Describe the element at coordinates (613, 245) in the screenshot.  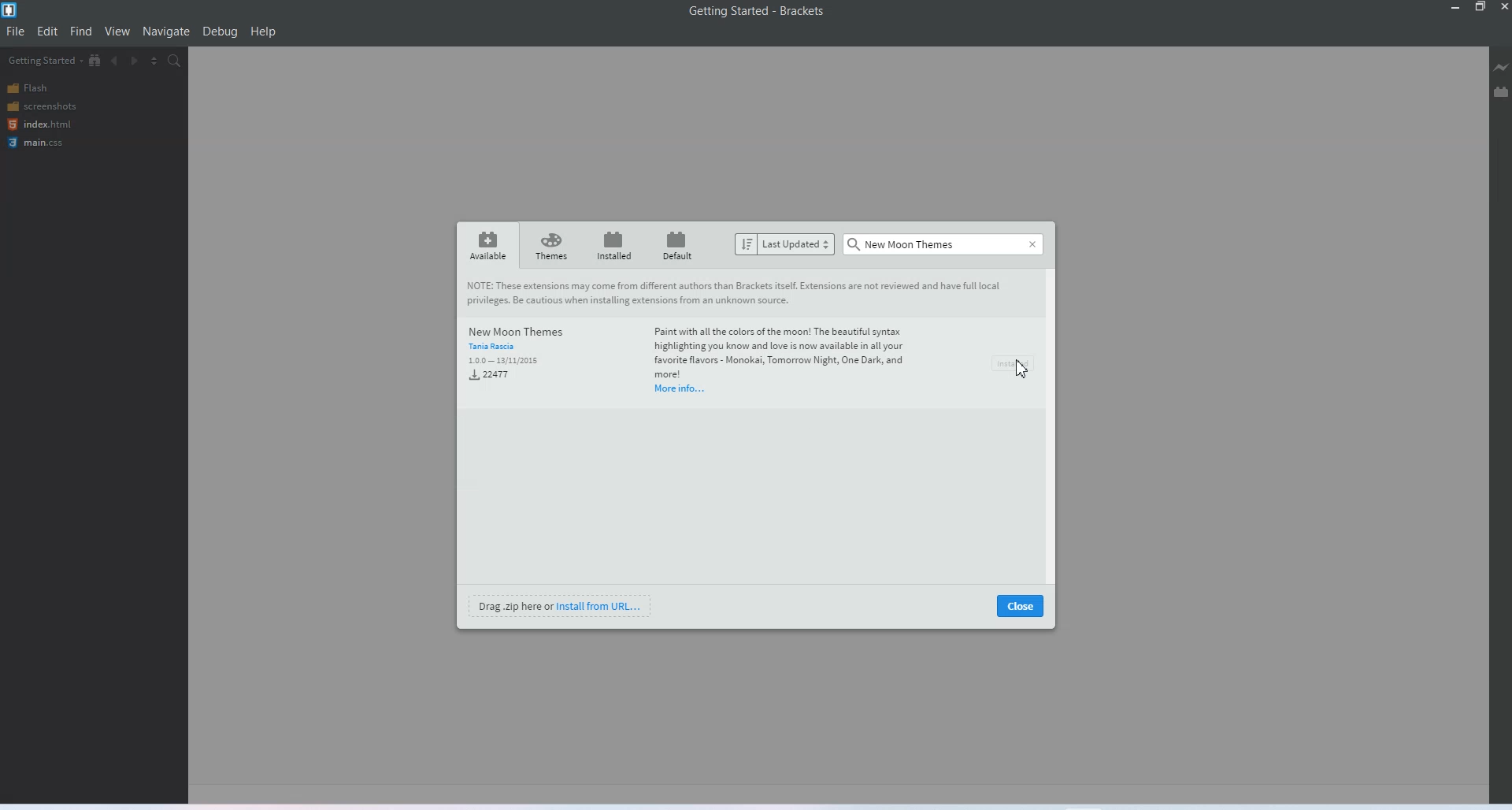
I see `installed` at that location.